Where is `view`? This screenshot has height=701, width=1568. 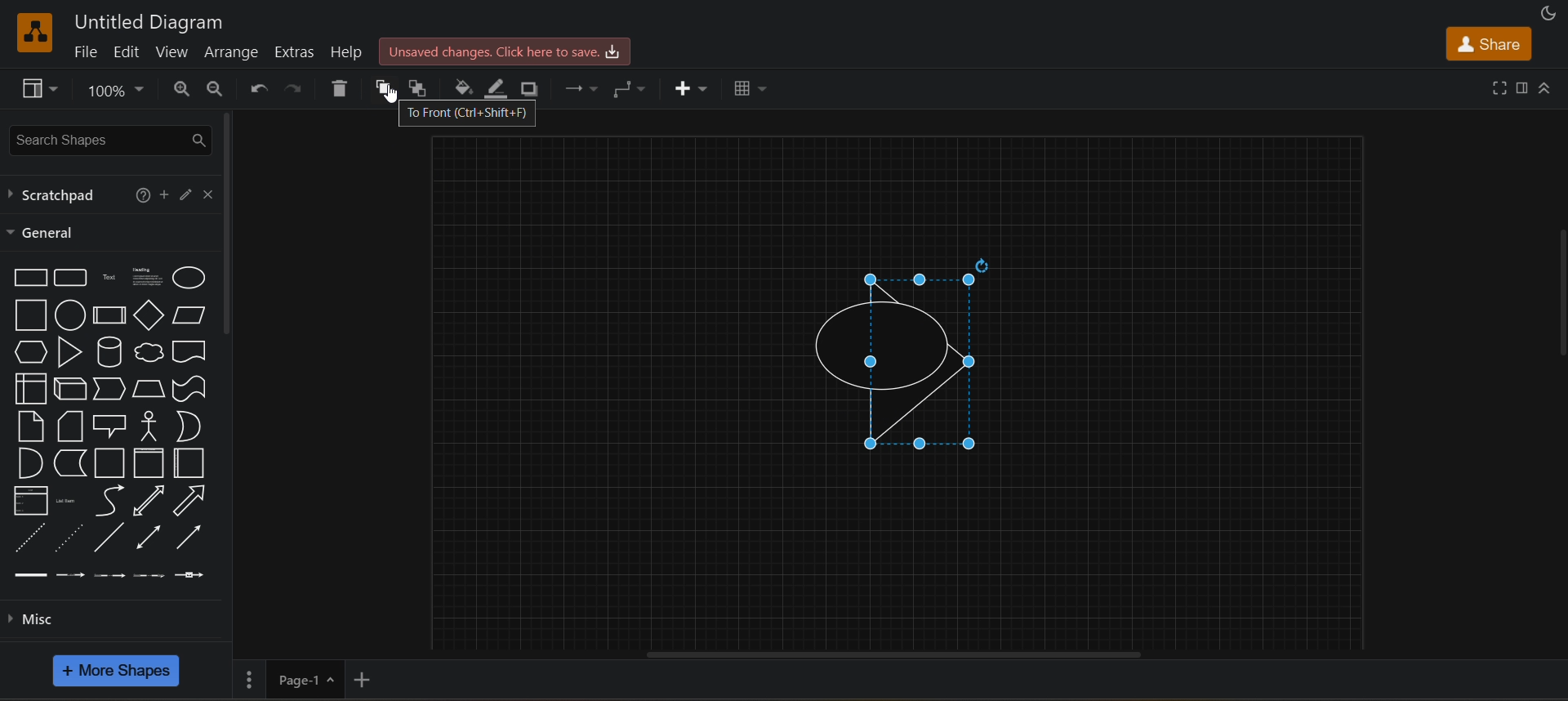
view is located at coordinates (37, 88).